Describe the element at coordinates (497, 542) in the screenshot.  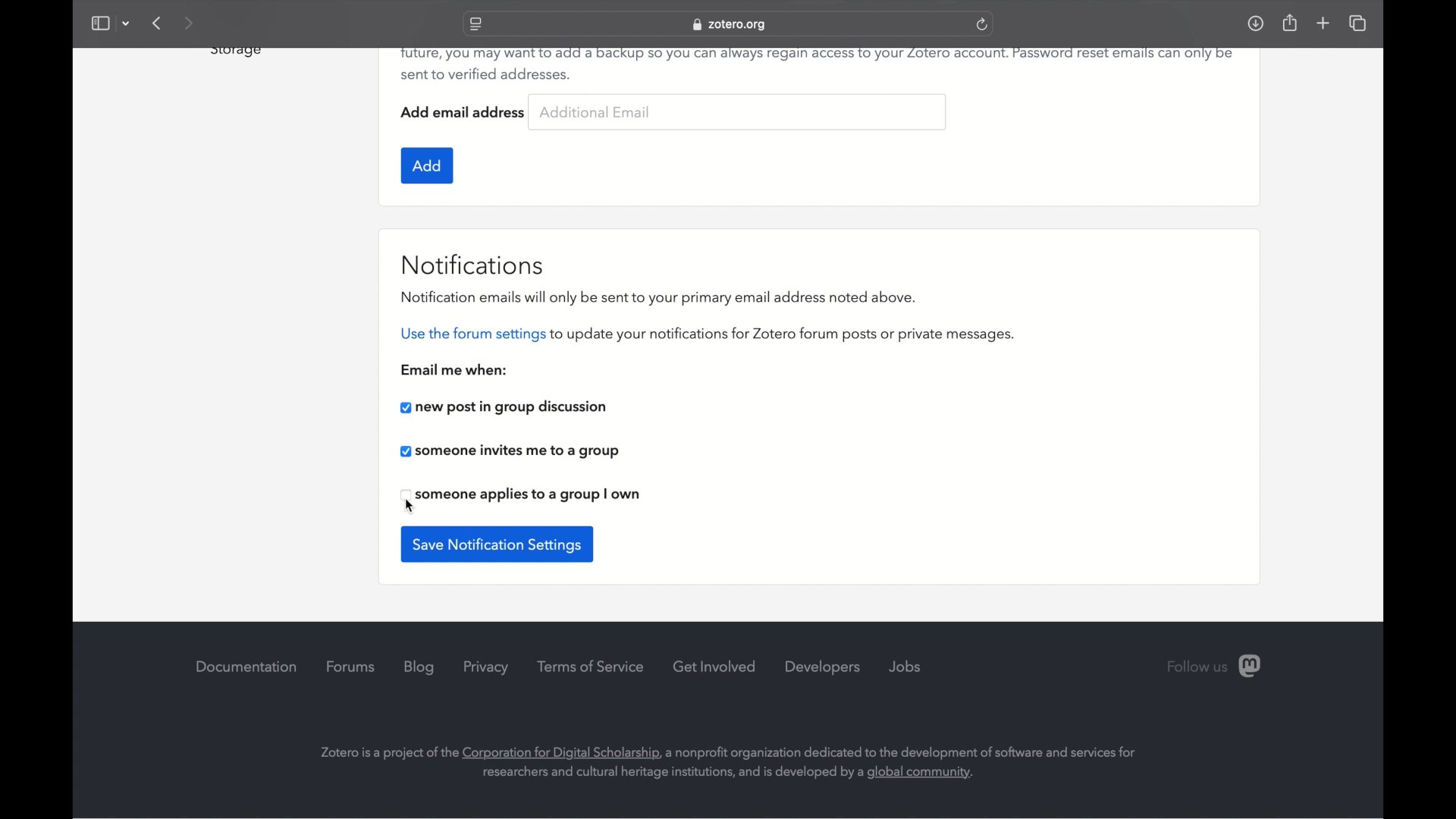
I see `save notification settings` at that location.